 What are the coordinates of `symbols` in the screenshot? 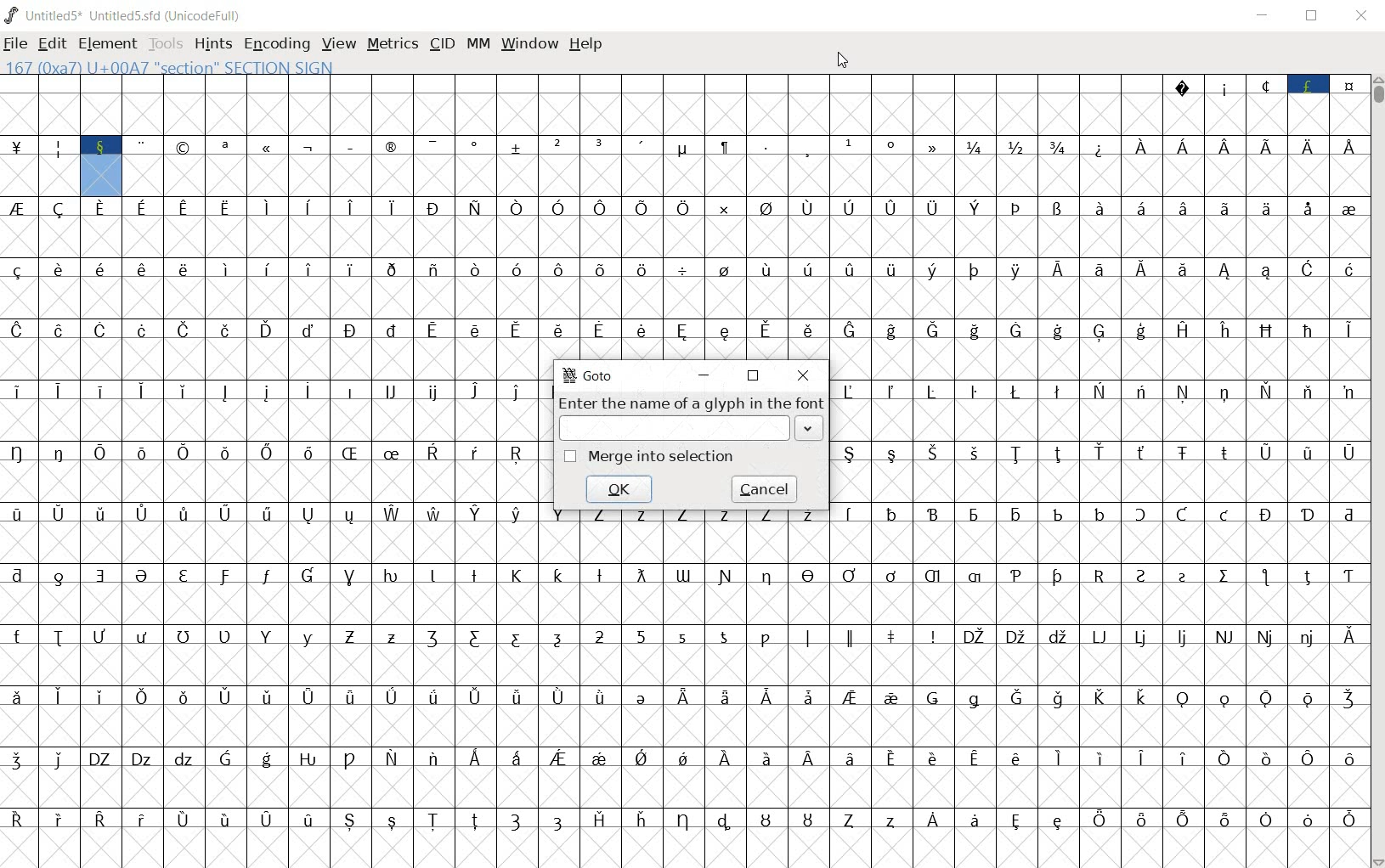 It's located at (620, 779).